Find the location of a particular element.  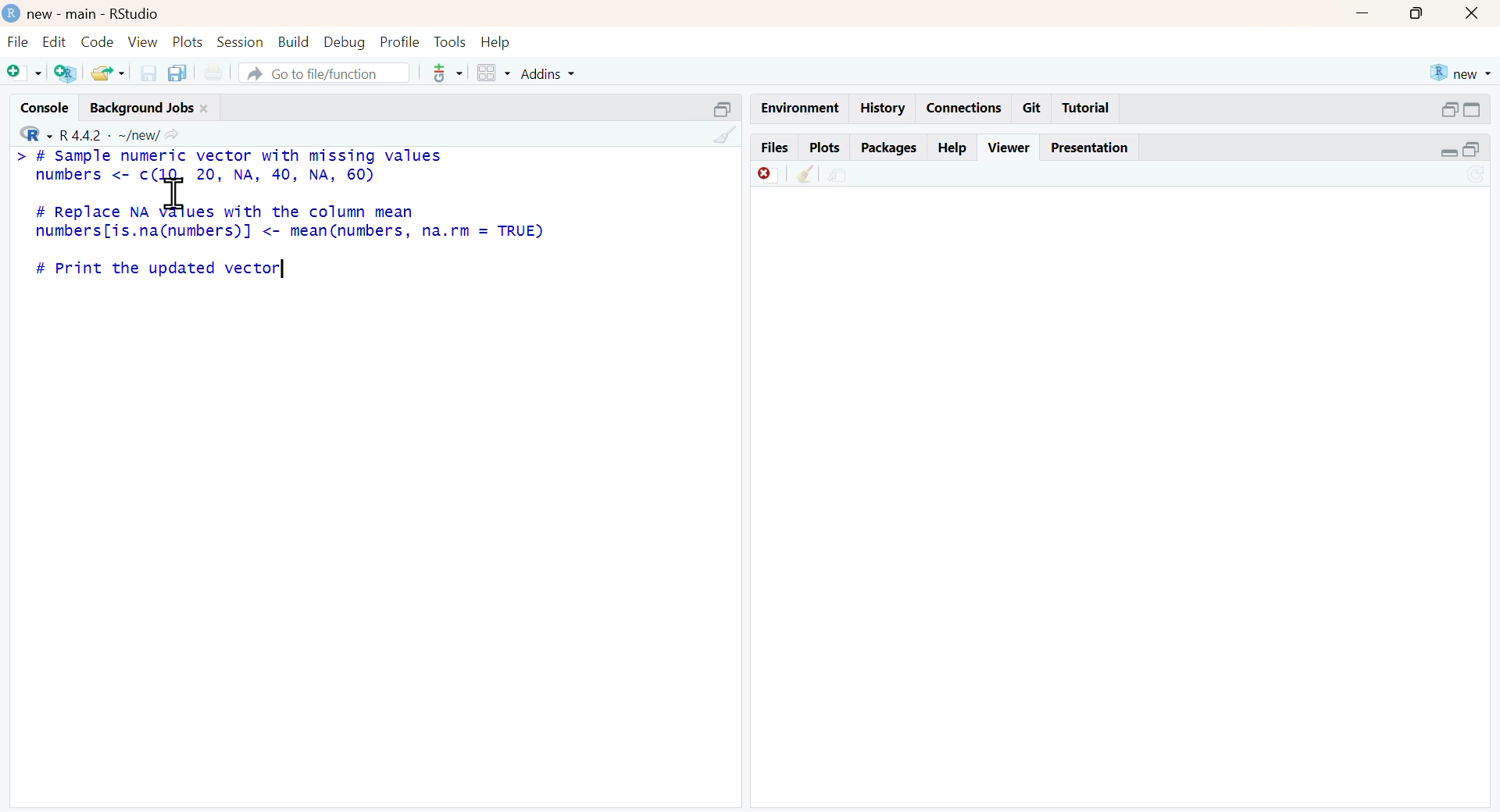

new is located at coordinates (1462, 74).